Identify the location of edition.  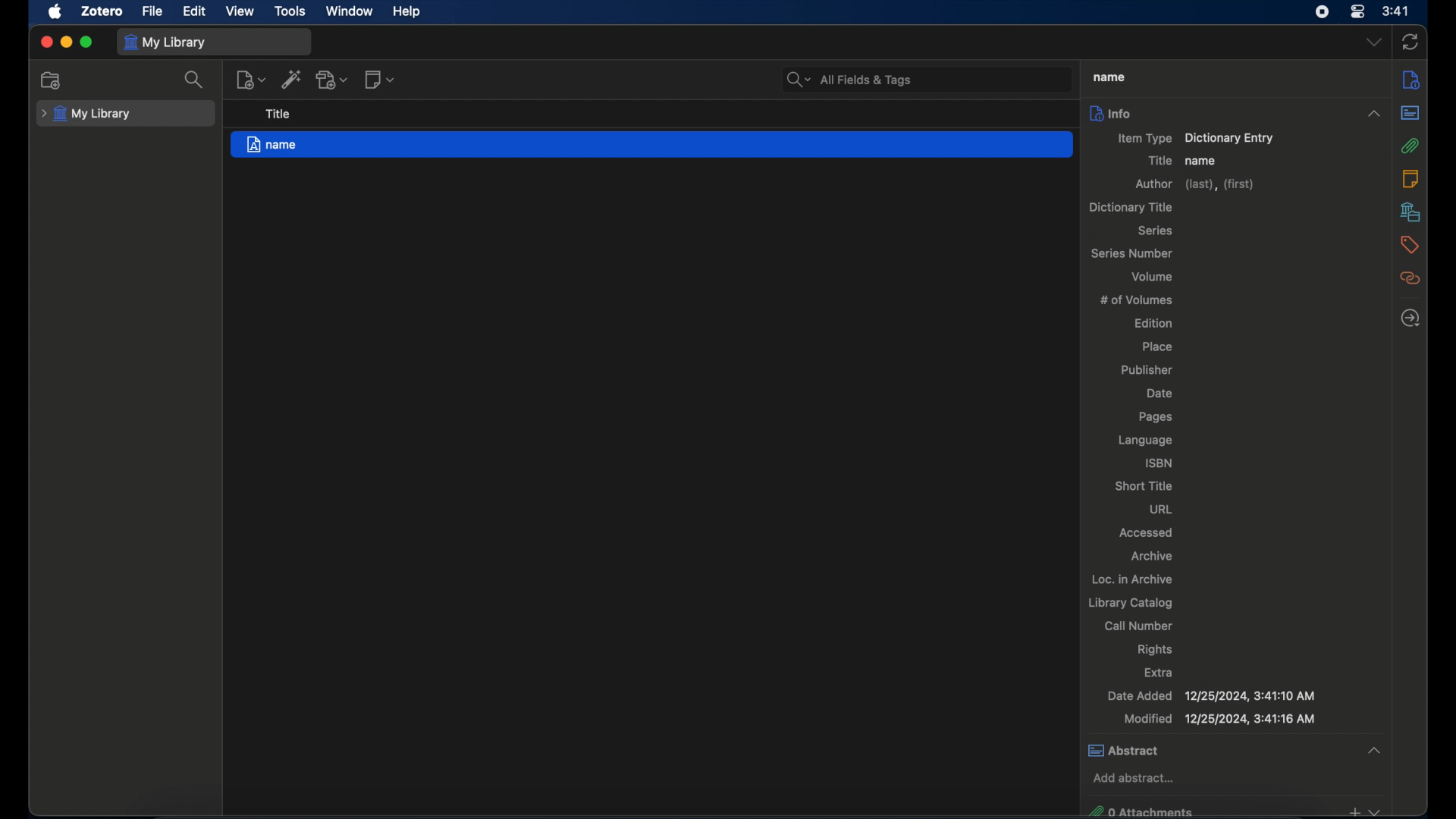
(1154, 322).